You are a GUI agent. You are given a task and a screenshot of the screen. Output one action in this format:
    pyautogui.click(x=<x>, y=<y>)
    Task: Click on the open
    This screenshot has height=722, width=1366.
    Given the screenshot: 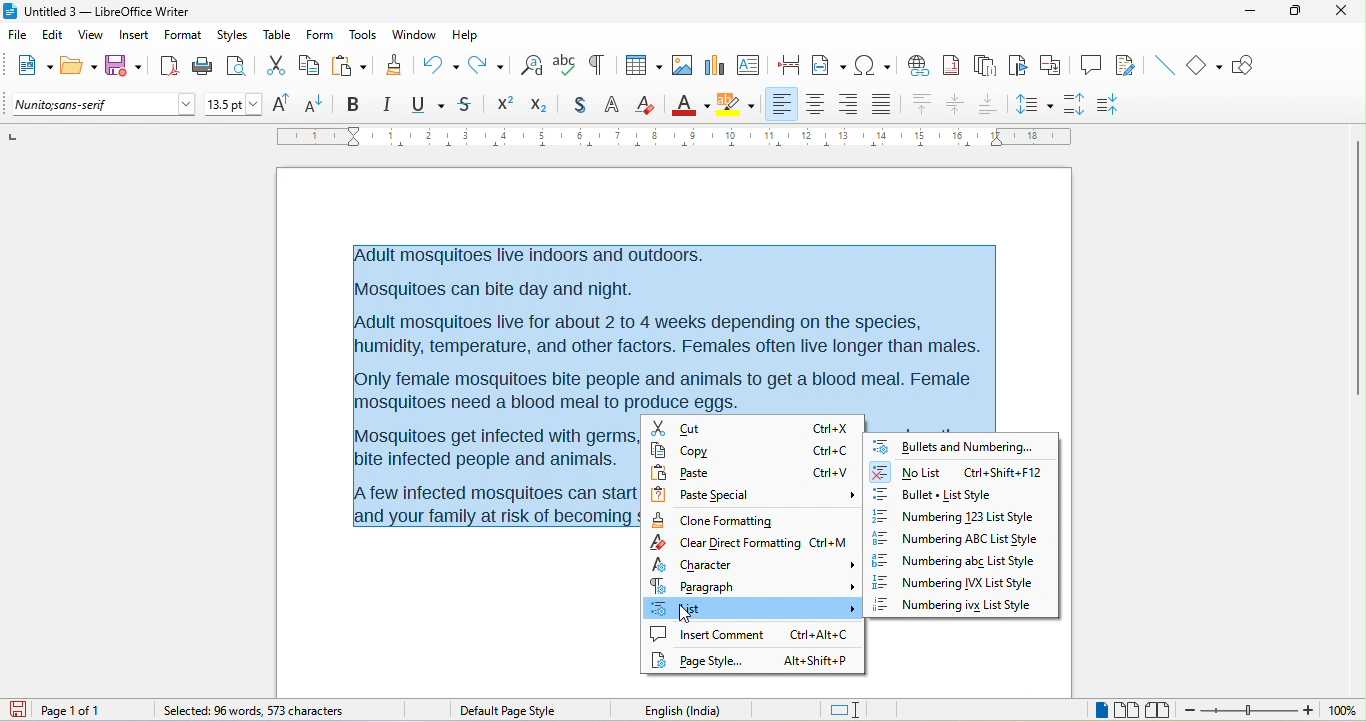 What is the action you would take?
    pyautogui.click(x=79, y=67)
    